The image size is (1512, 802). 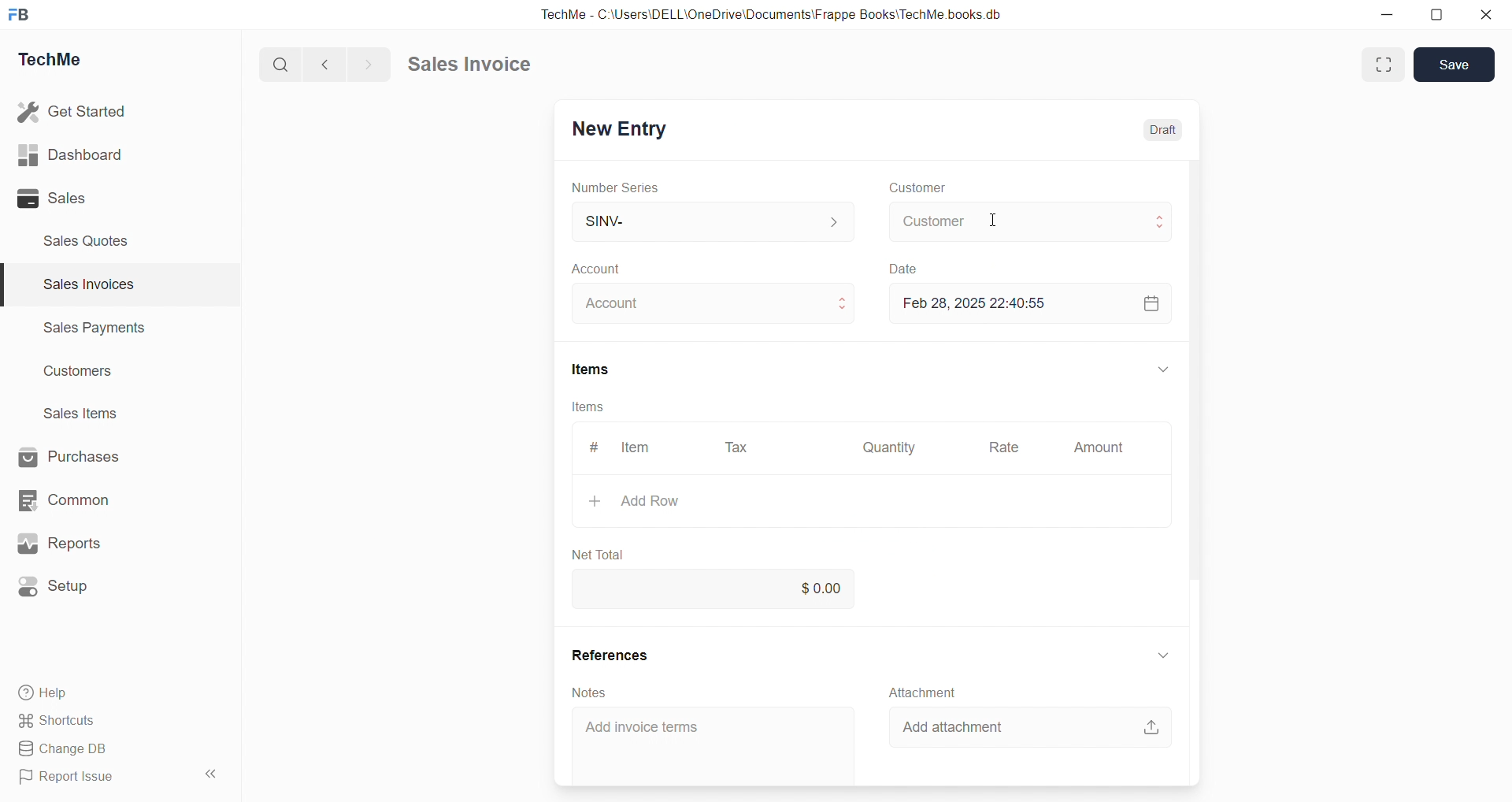 I want to click on Get Started, so click(x=73, y=111).